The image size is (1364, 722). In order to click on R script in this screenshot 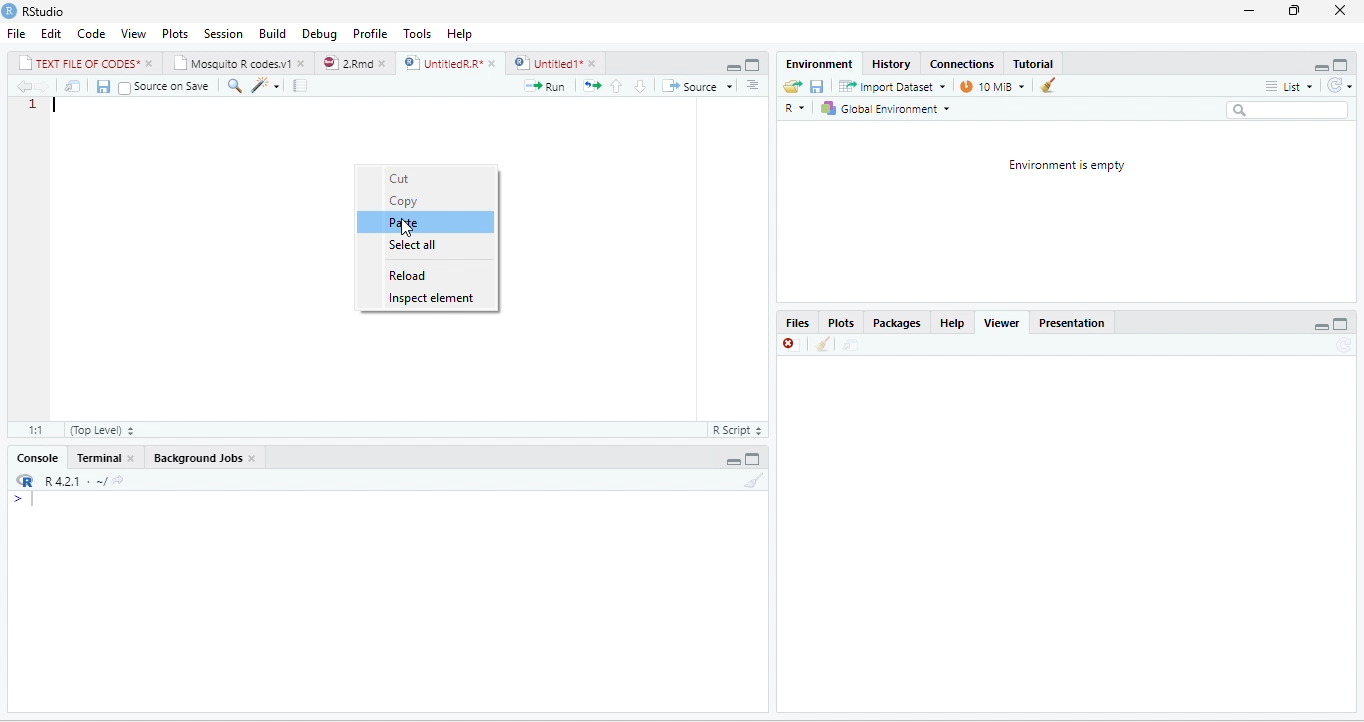, I will do `click(737, 431)`.